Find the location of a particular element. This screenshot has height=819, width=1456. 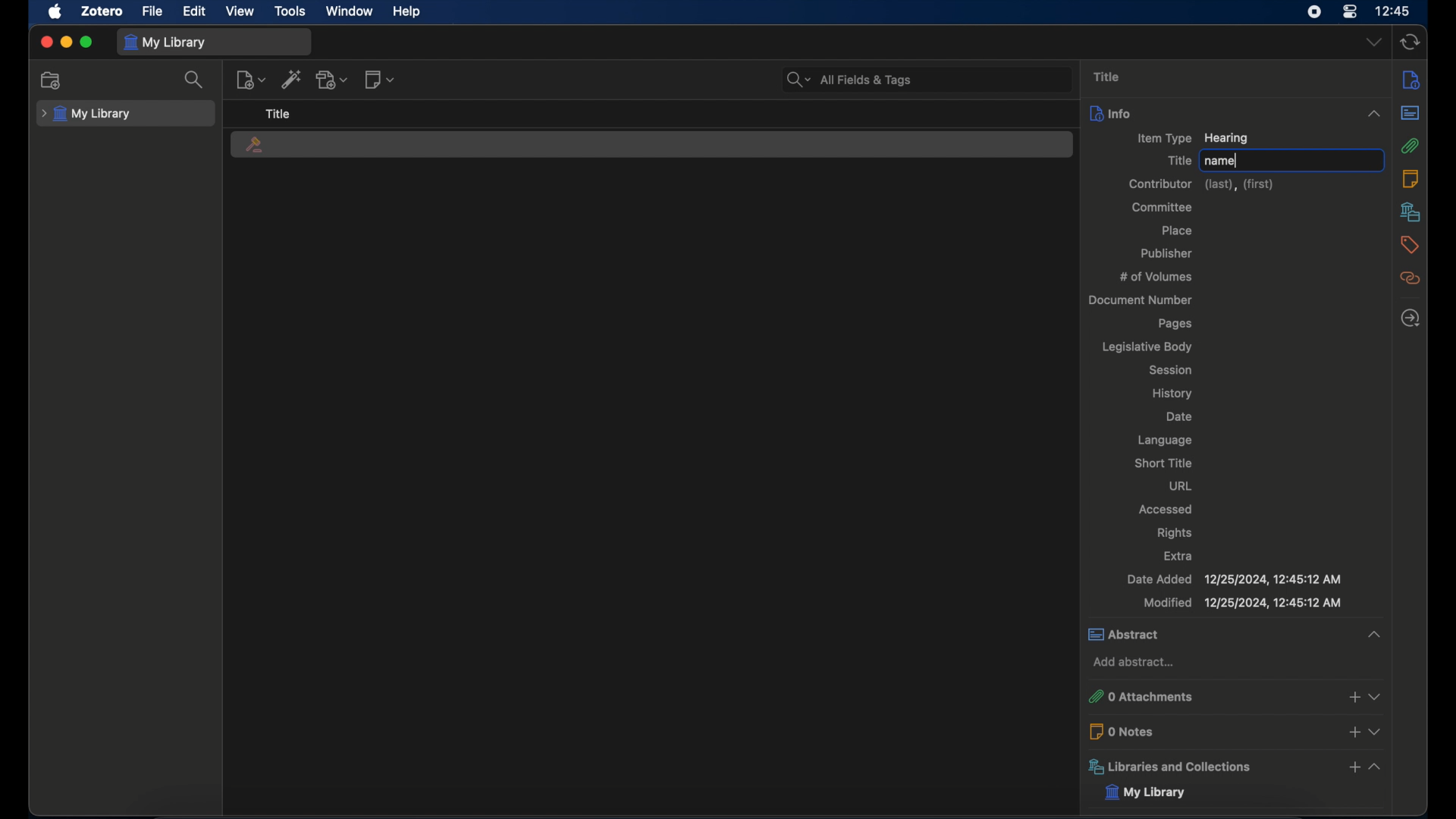

my library is located at coordinates (86, 115).